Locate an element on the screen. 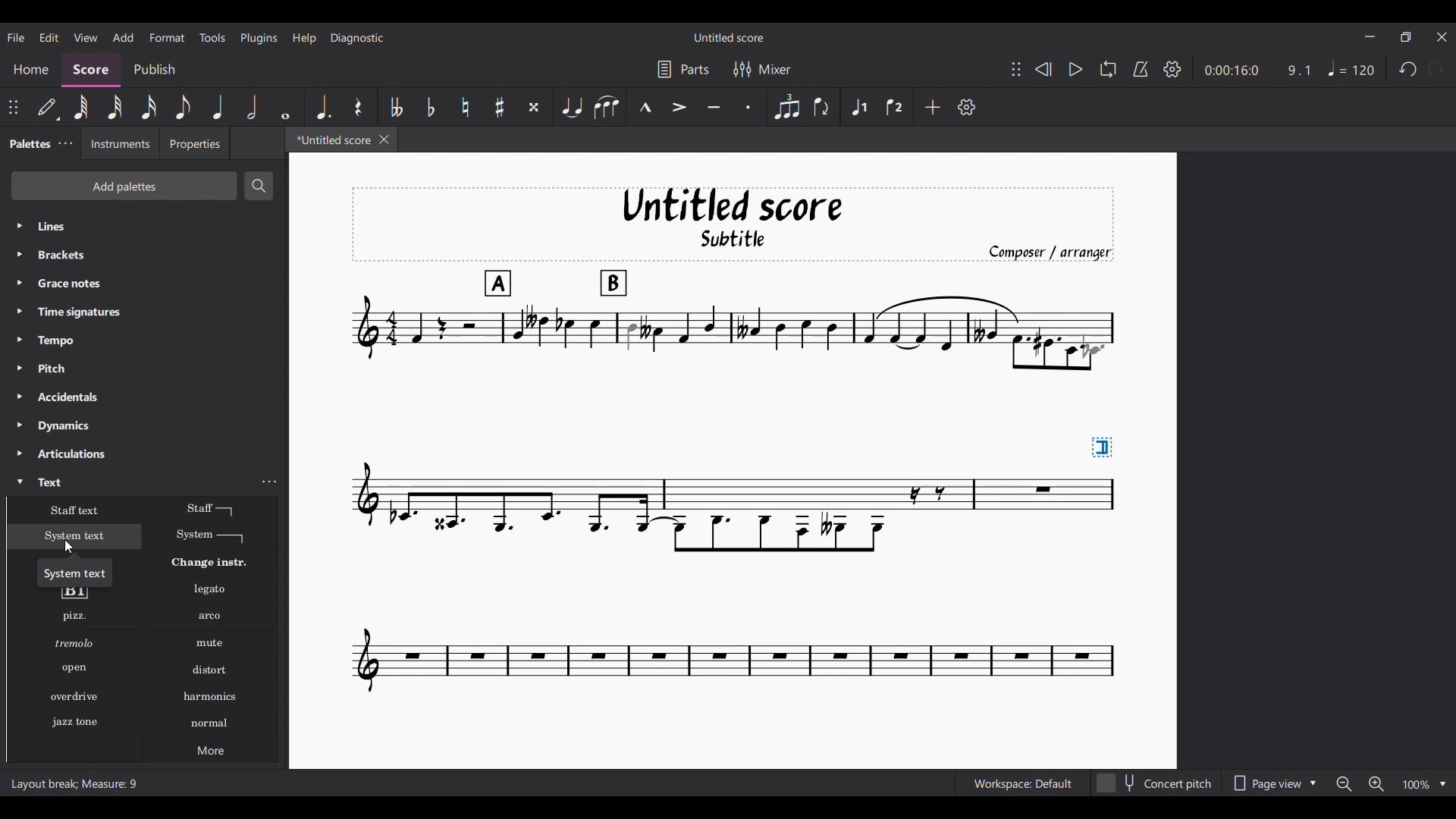 The width and height of the screenshot is (1456, 819). Tempo is located at coordinates (144, 340).